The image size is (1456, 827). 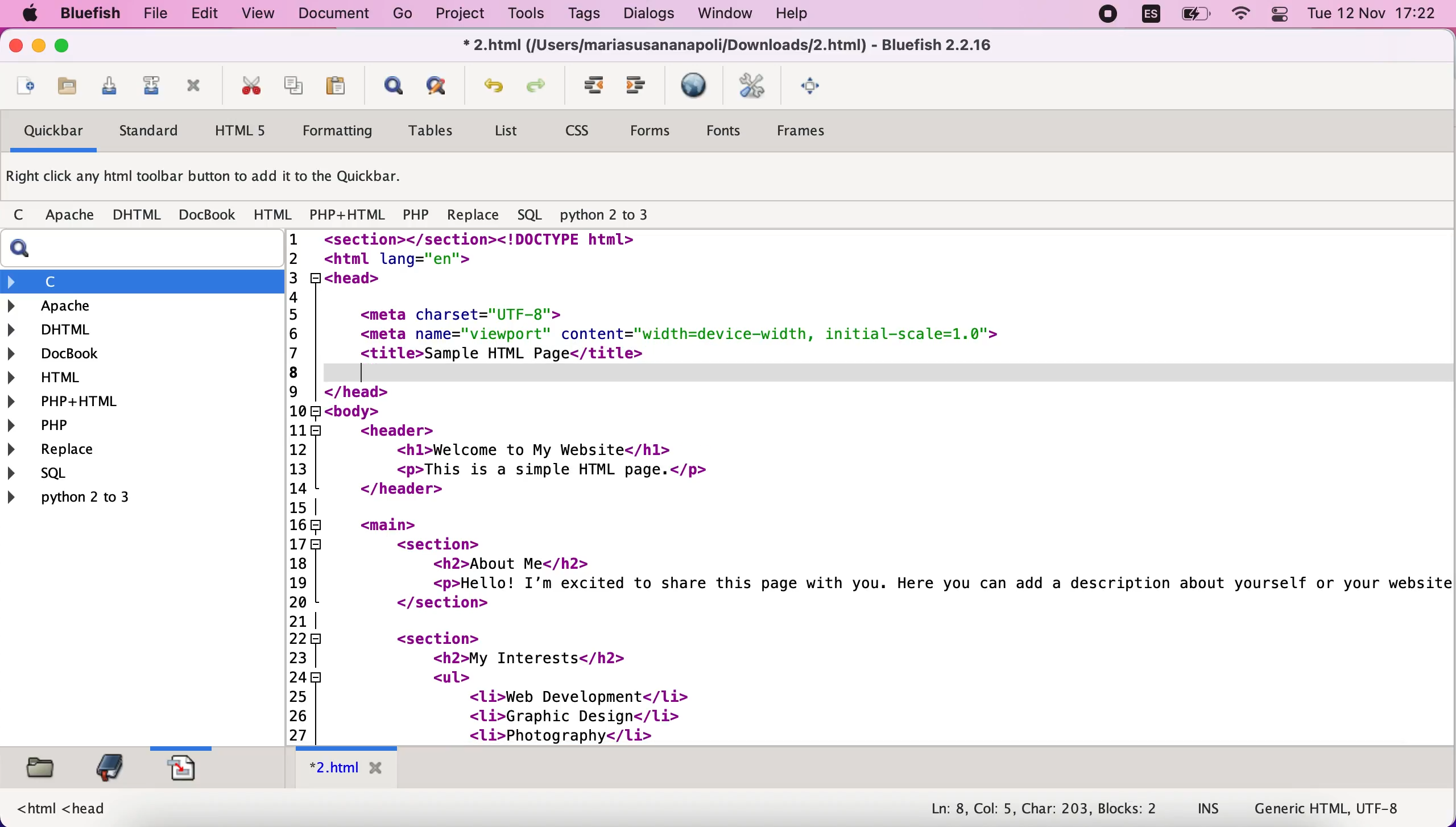 What do you see at coordinates (818, 131) in the screenshot?
I see `frames` at bounding box center [818, 131].